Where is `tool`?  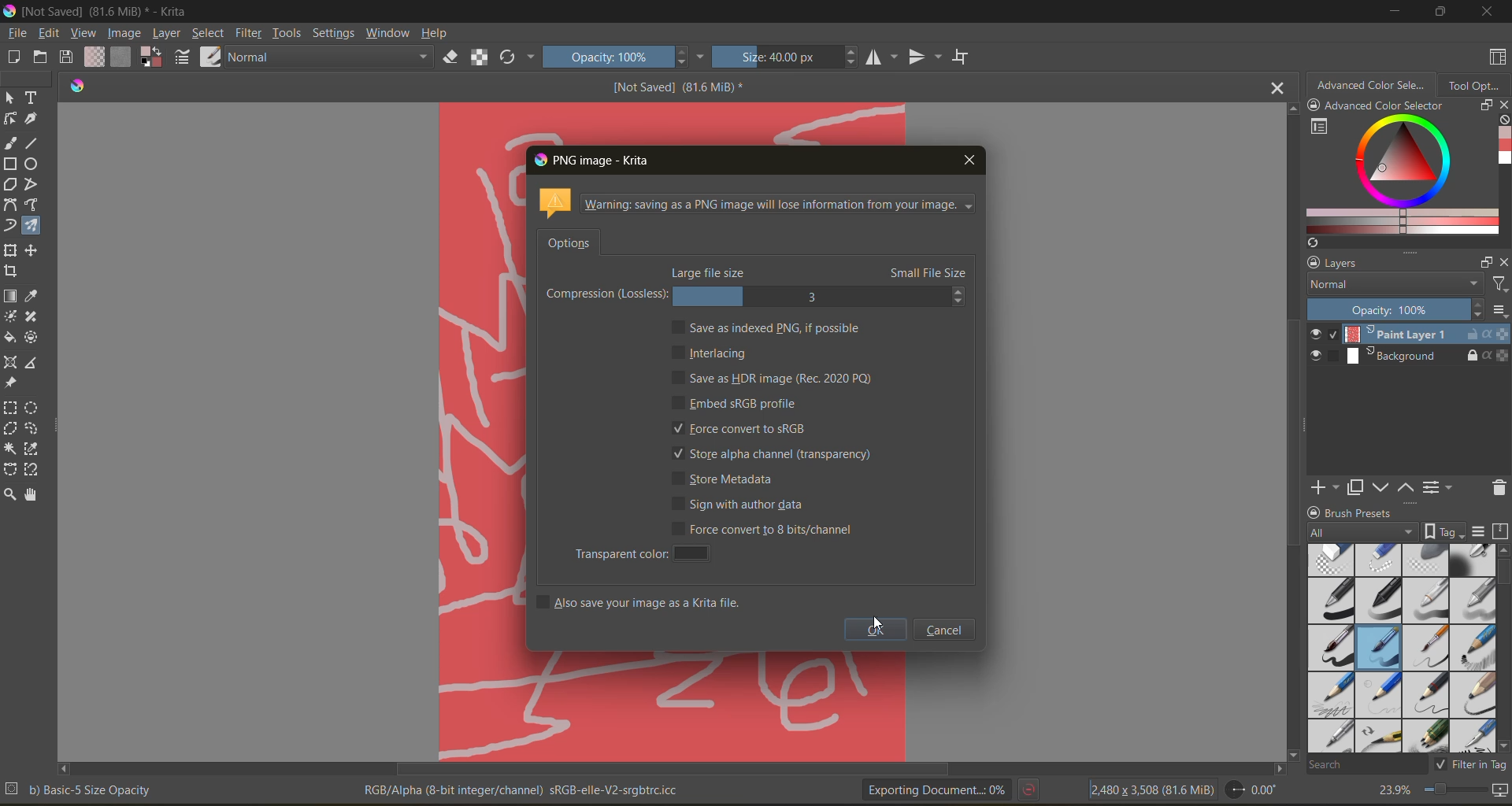 tool is located at coordinates (35, 361).